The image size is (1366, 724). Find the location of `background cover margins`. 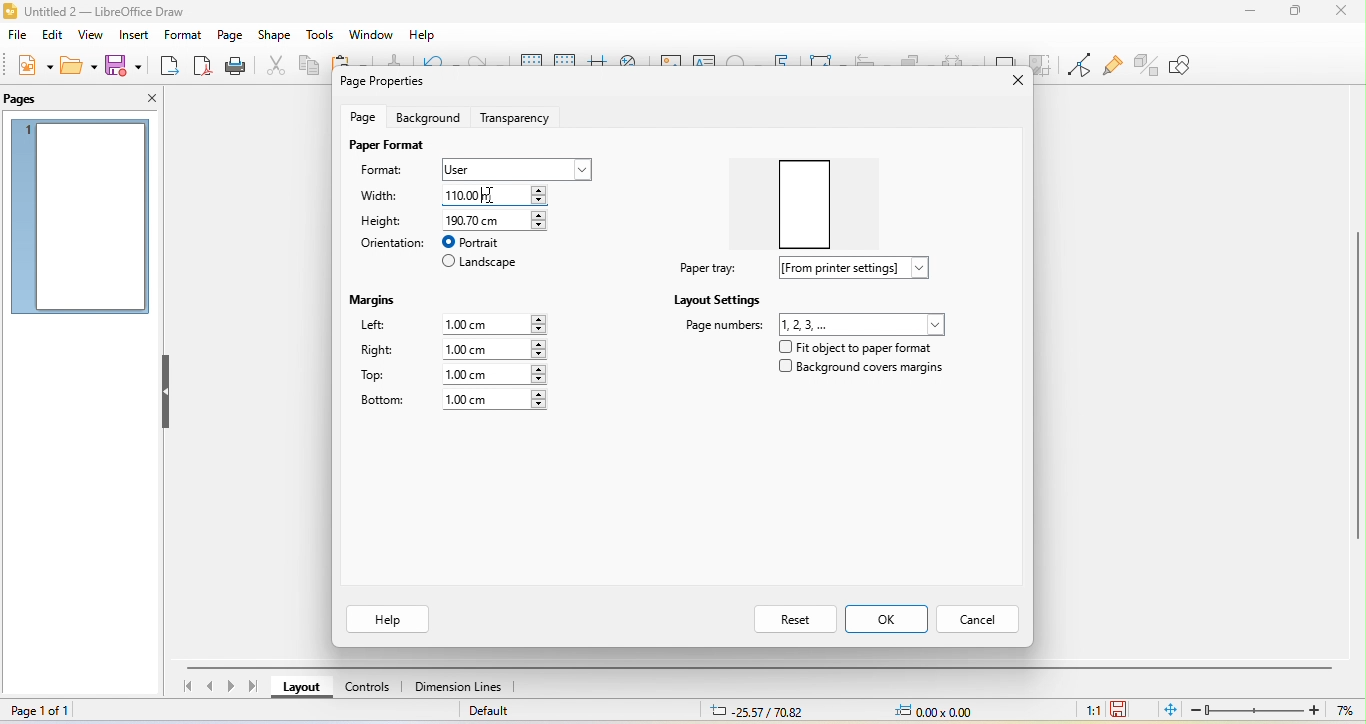

background cover margins is located at coordinates (862, 371).